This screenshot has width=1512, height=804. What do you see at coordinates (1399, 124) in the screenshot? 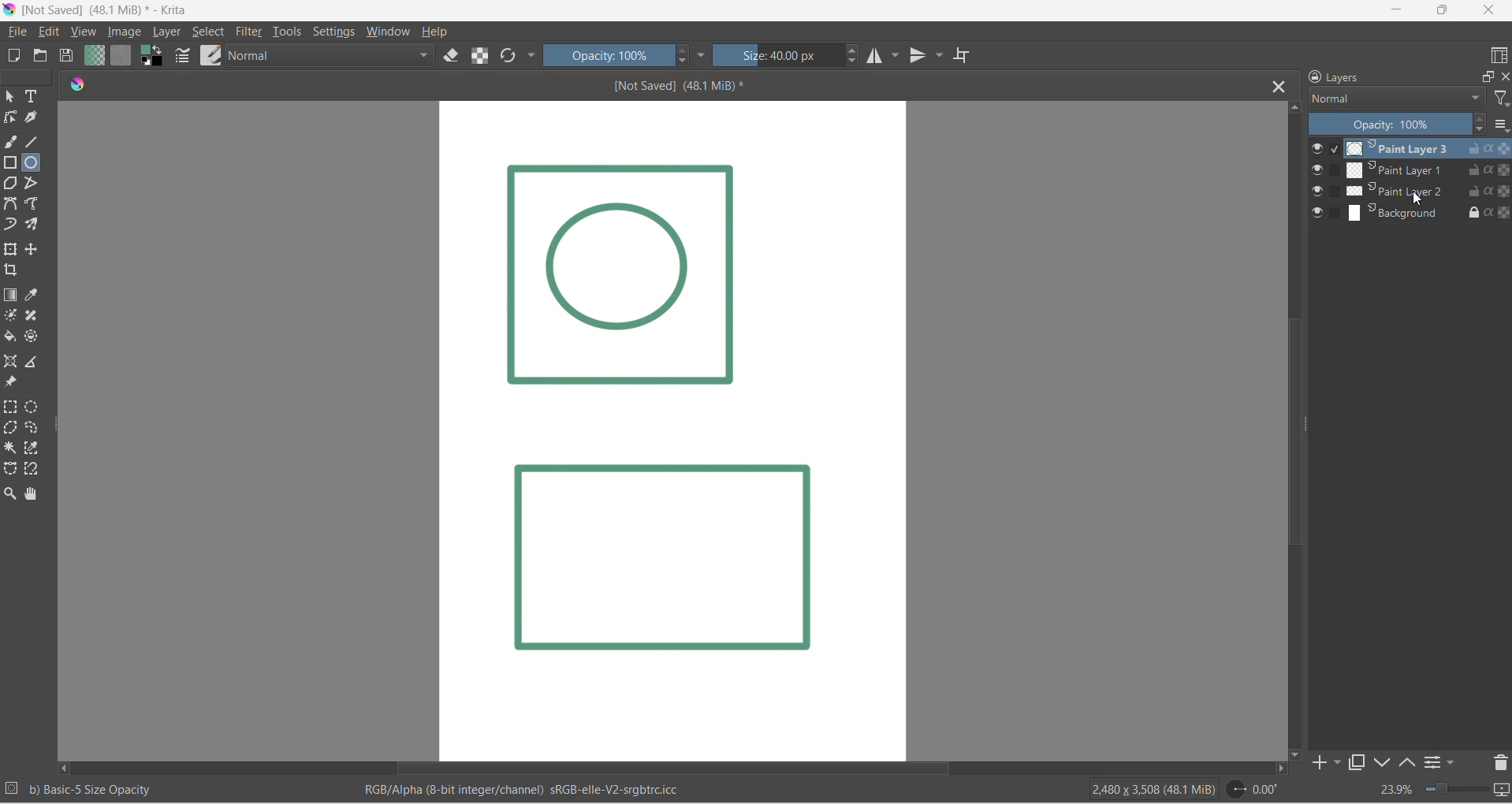
I see `opacity` at bounding box center [1399, 124].